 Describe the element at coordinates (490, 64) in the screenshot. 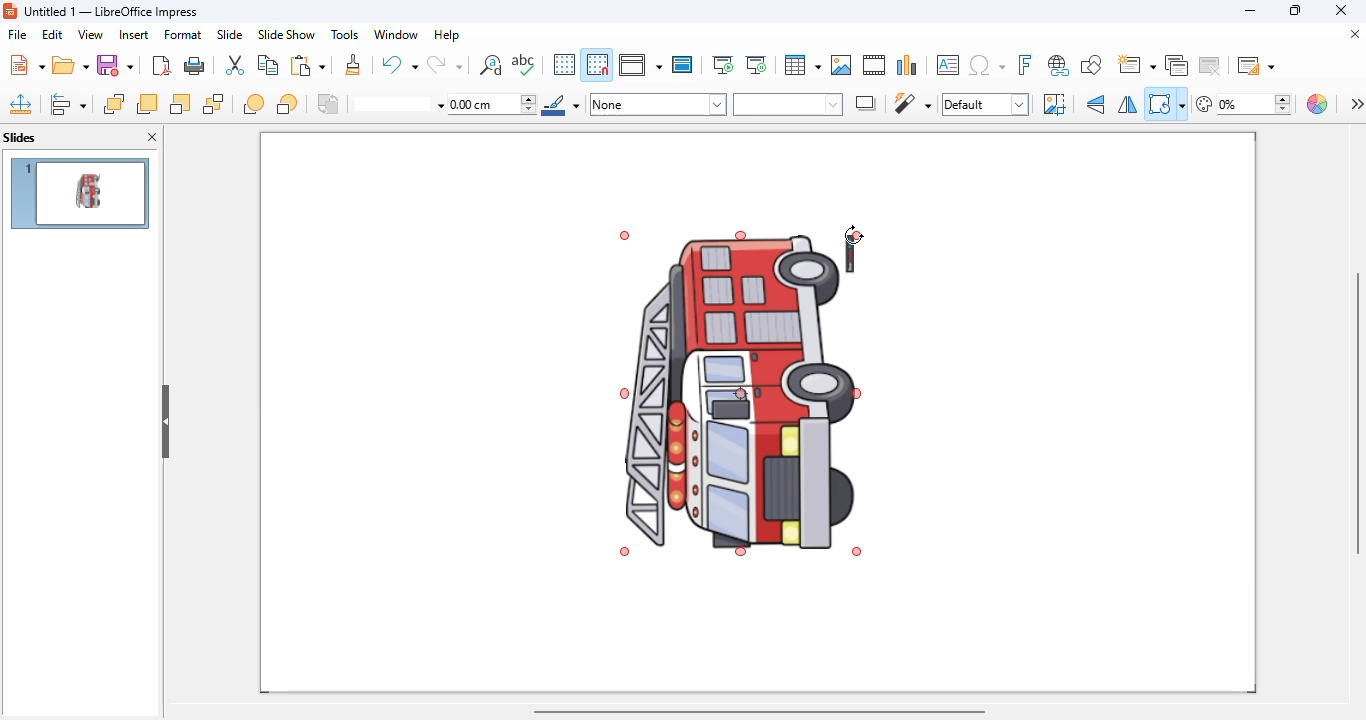

I see `find and replace` at that location.